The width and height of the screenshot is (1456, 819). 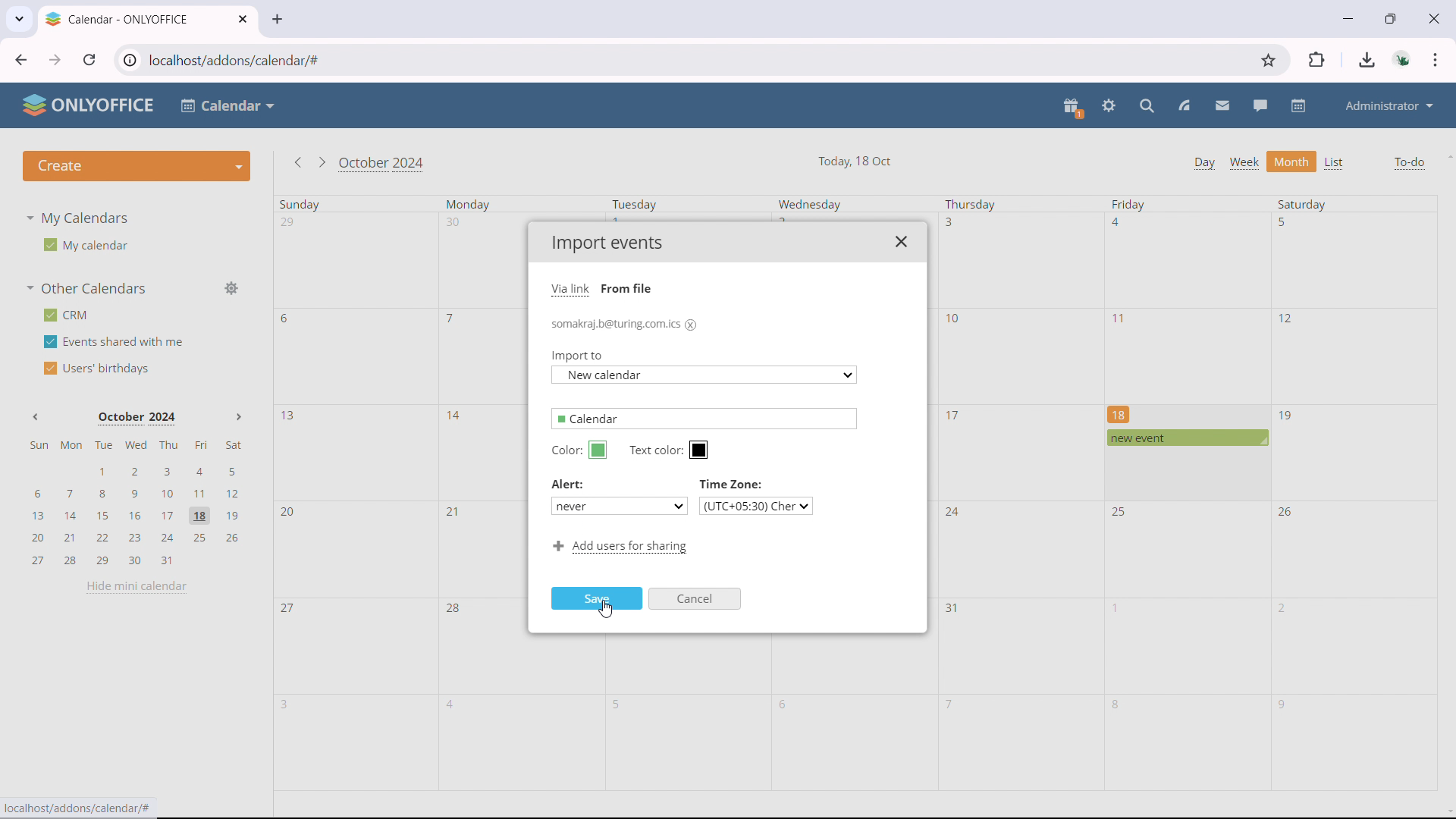 What do you see at coordinates (290, 513) in the screenshot?
I see `20` at bounding box center [290, 513].